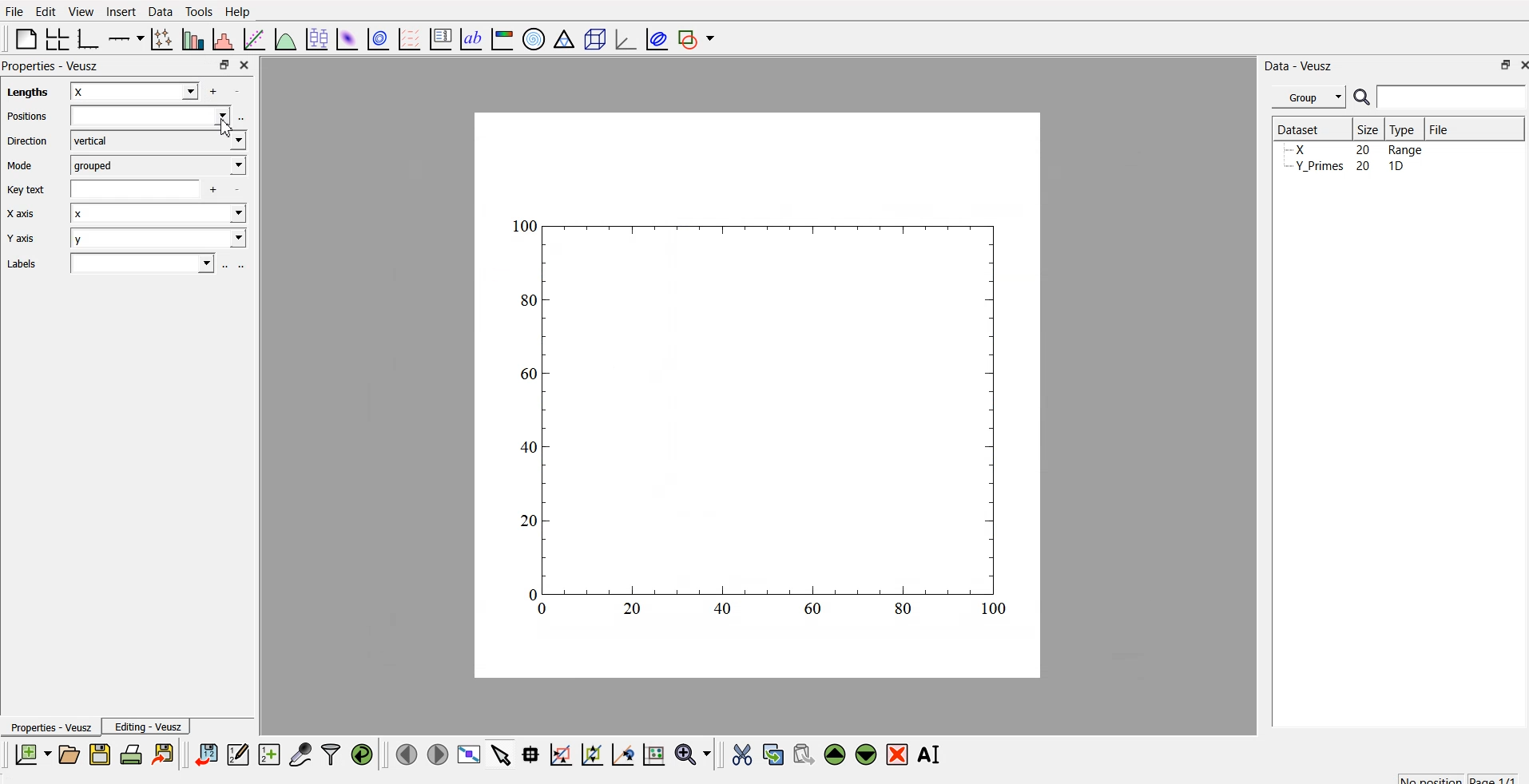  Describe the element at coordinates (109, 89) in the screenshot. I see `lengths x` at that location.